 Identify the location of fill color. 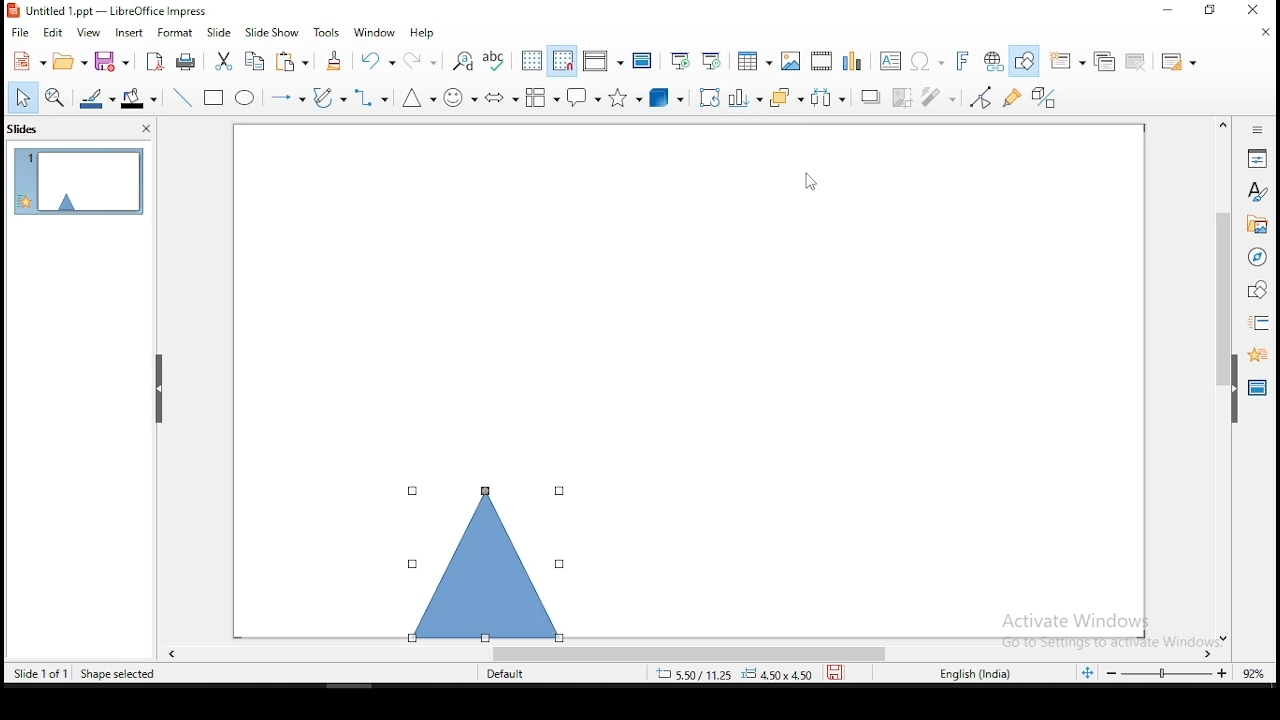
(143, 96).